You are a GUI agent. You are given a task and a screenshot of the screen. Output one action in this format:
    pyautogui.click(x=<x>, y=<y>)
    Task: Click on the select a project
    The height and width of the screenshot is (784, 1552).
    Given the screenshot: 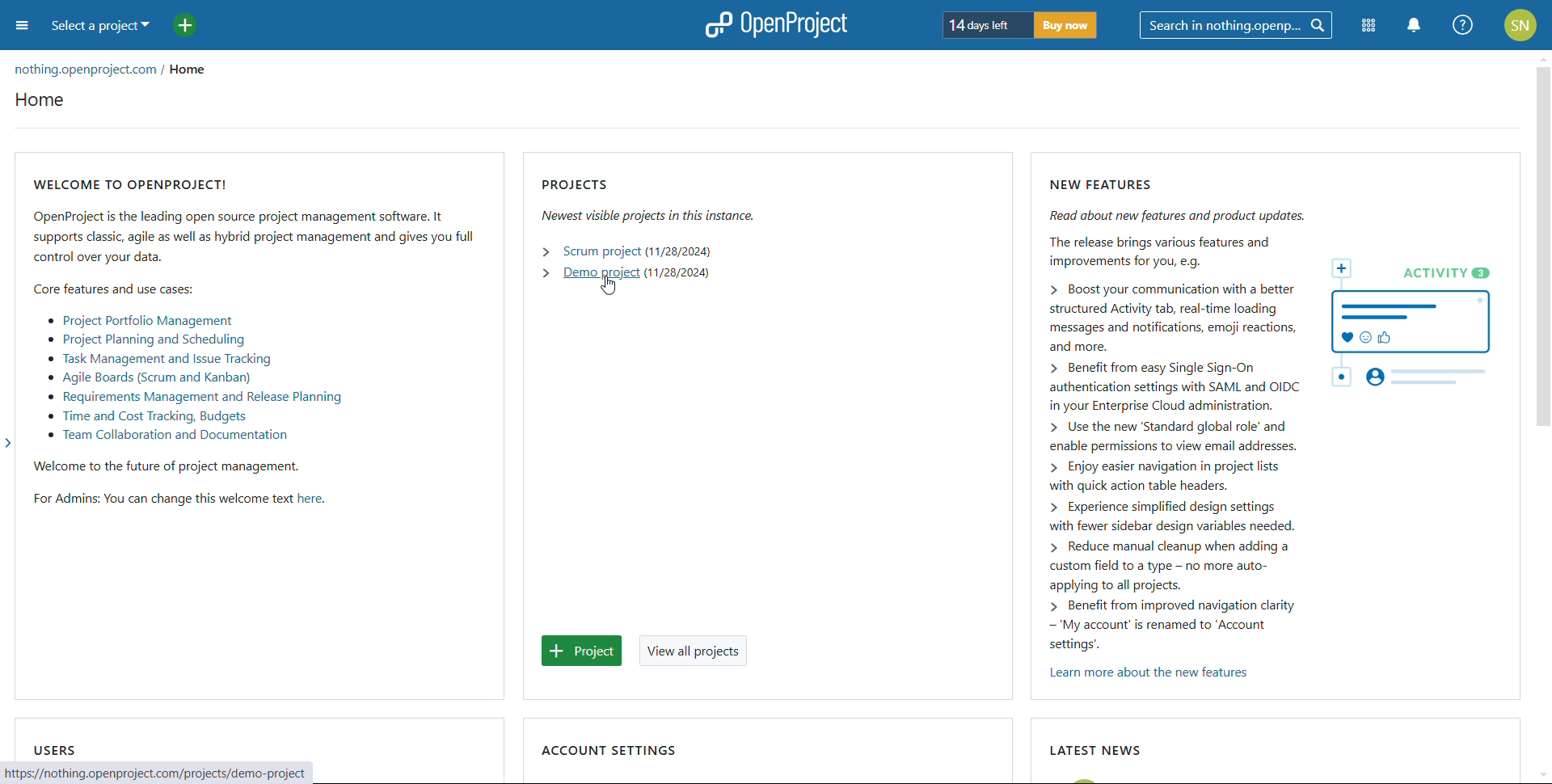 What is the action you would take?
    pyautogui.click(x=100, y=27)
    